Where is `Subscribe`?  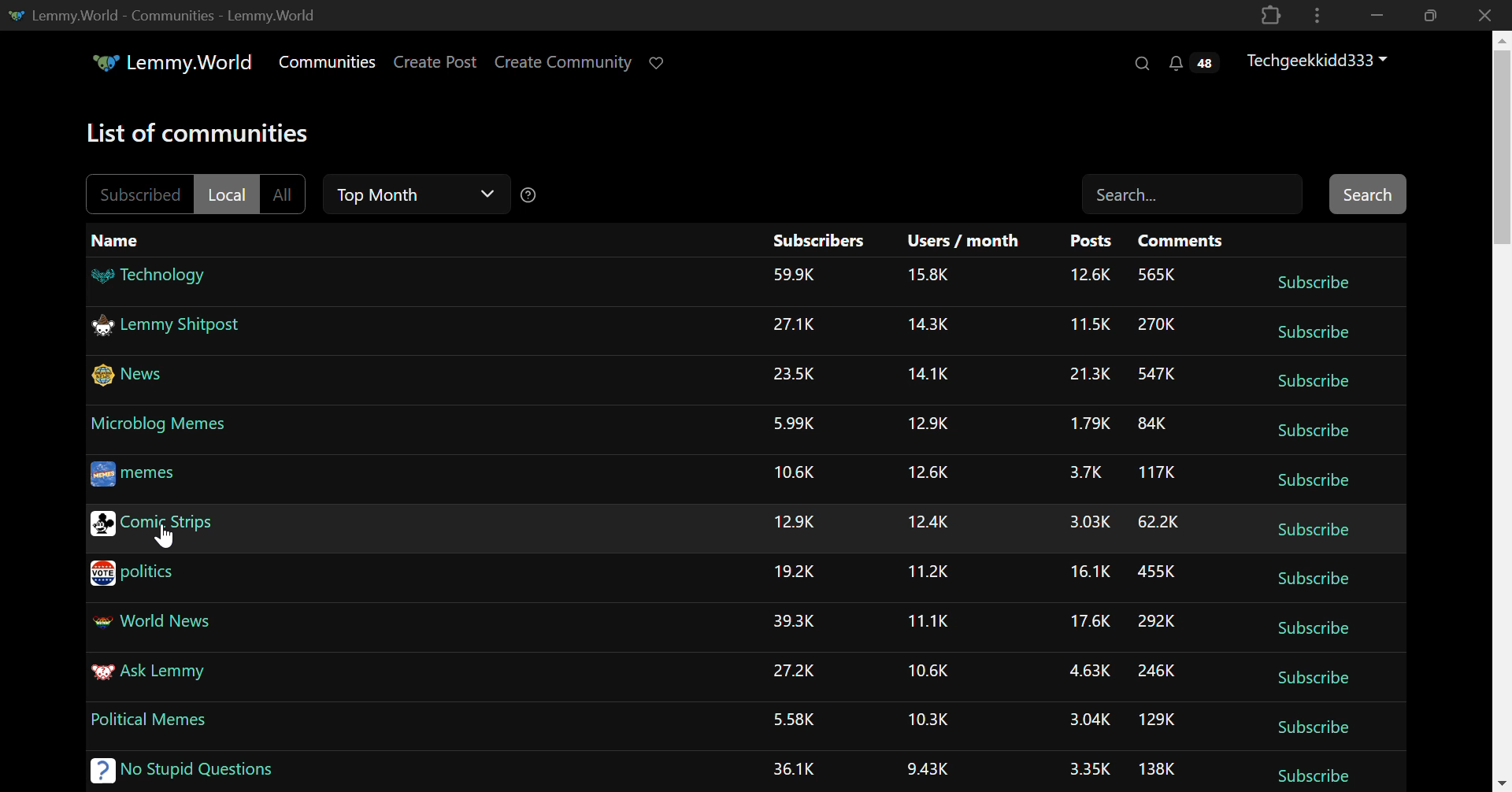 Subscribe is located at coordinates (1313, 679).